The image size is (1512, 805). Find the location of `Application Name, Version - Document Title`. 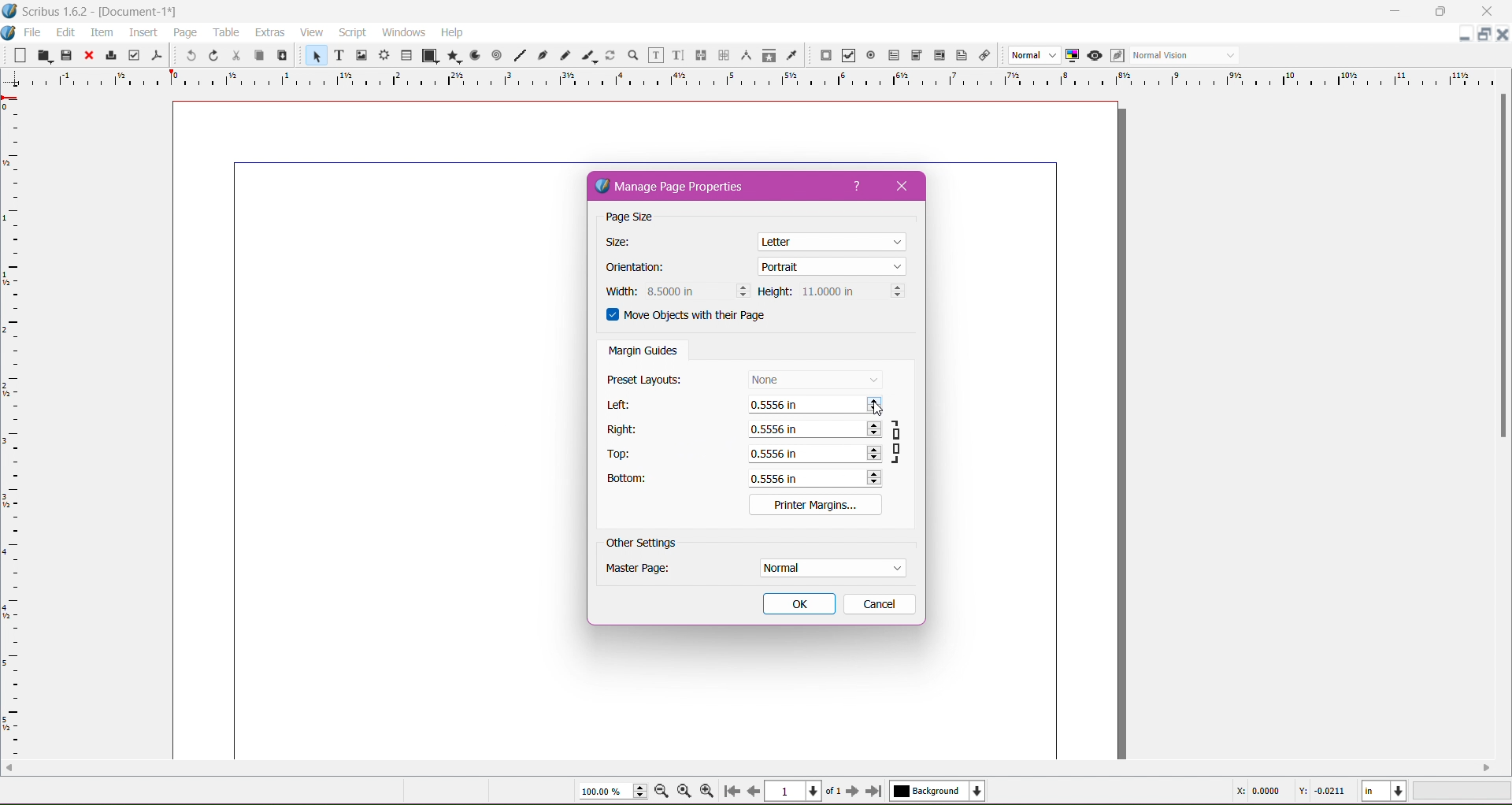

Application Name, Version - Document Title is located at coordinates (106, 12).